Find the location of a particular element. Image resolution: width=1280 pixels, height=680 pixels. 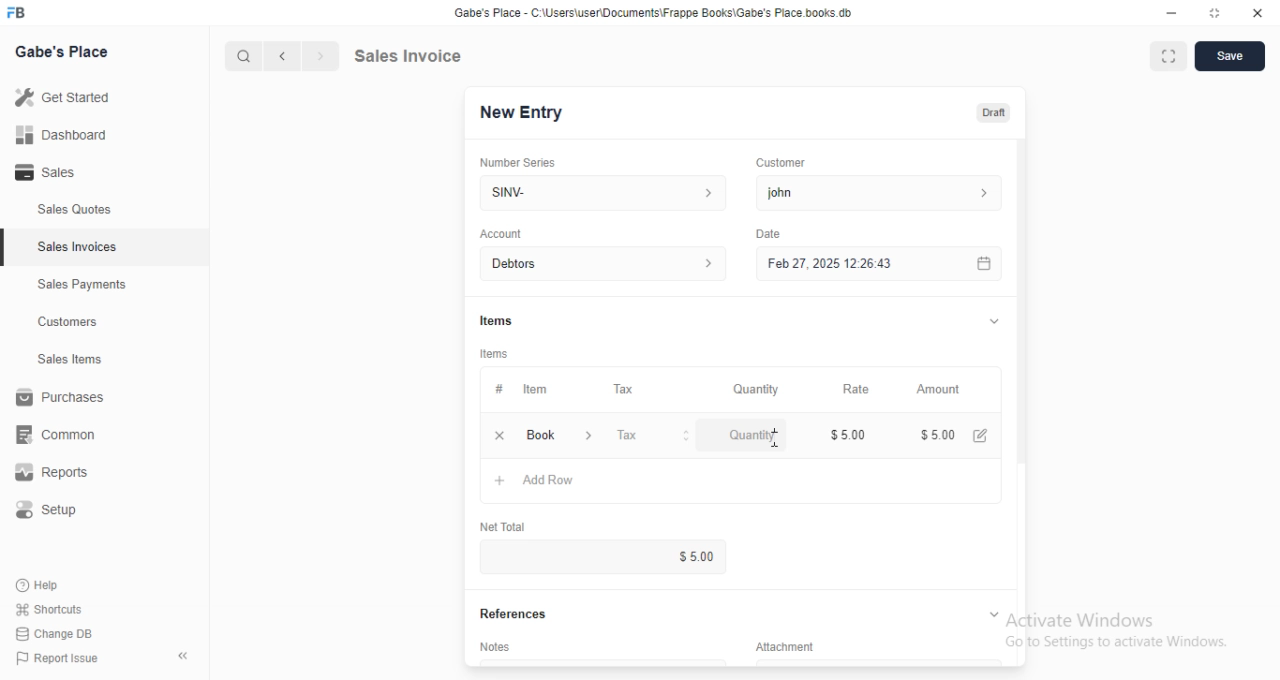

Sales is located at coordinates (48, 171).